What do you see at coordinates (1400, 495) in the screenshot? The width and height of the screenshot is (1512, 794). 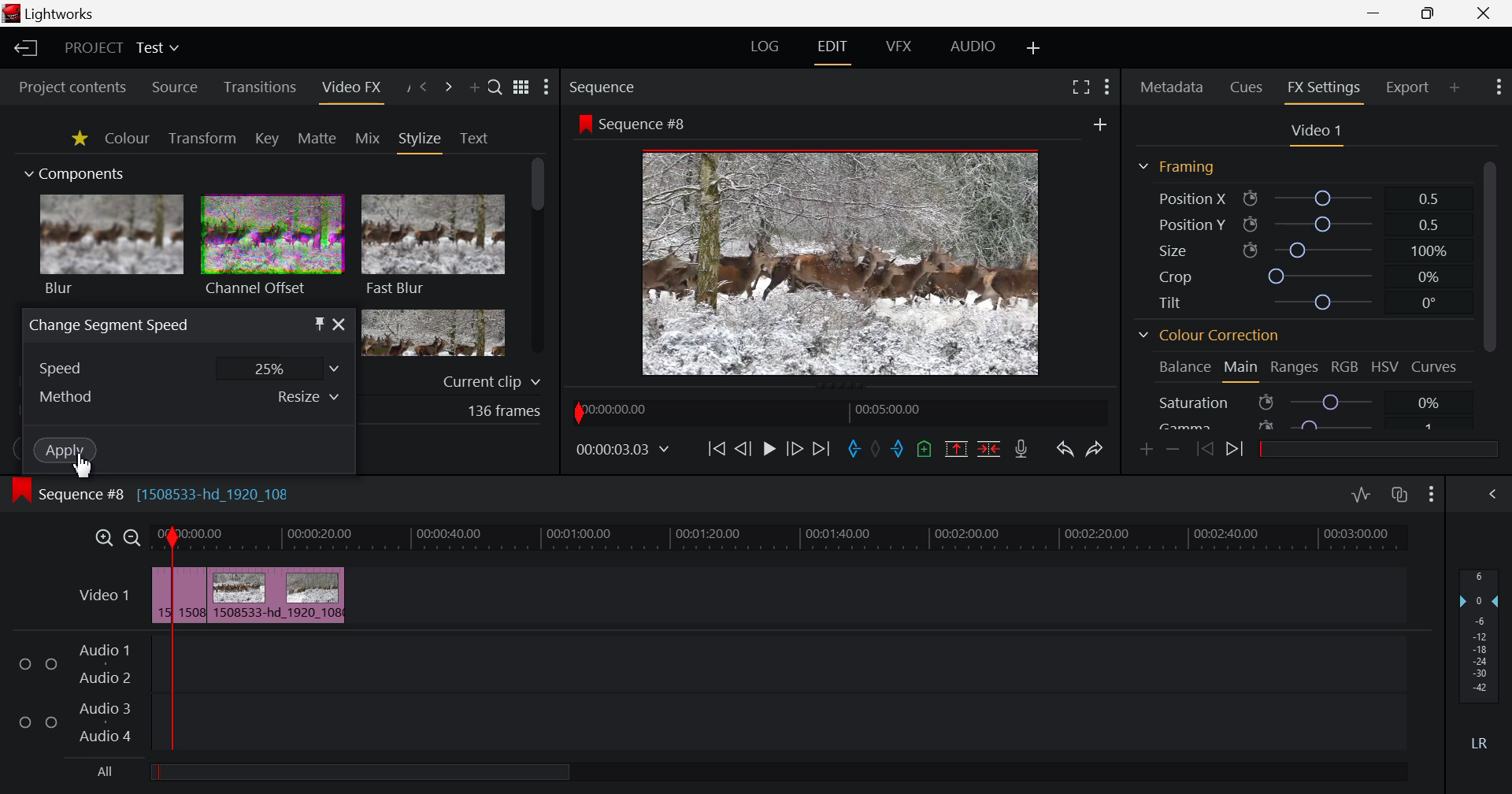 I see `Toggle auto track sync` at bounding box center [1400, 495].